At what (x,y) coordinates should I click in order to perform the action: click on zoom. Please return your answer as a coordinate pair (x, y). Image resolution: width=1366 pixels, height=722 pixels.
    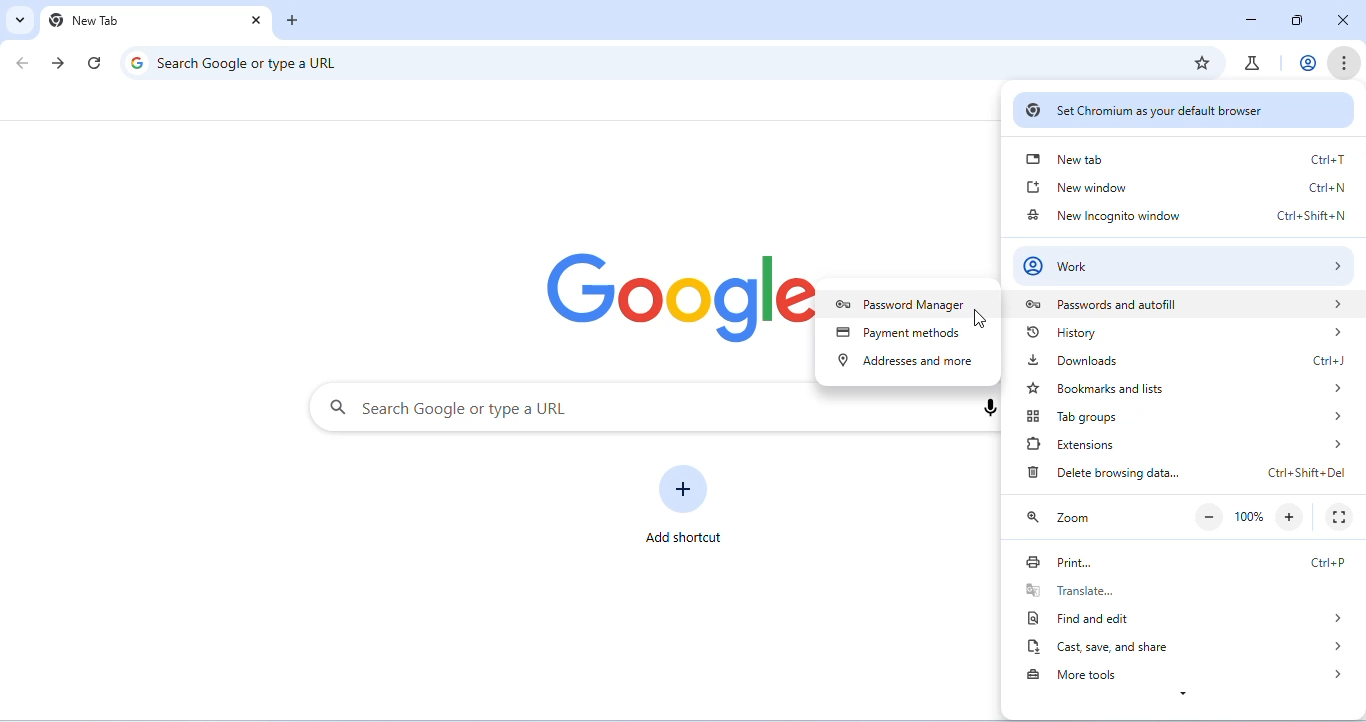
    Looking at the image, I should click on (1182, 515).